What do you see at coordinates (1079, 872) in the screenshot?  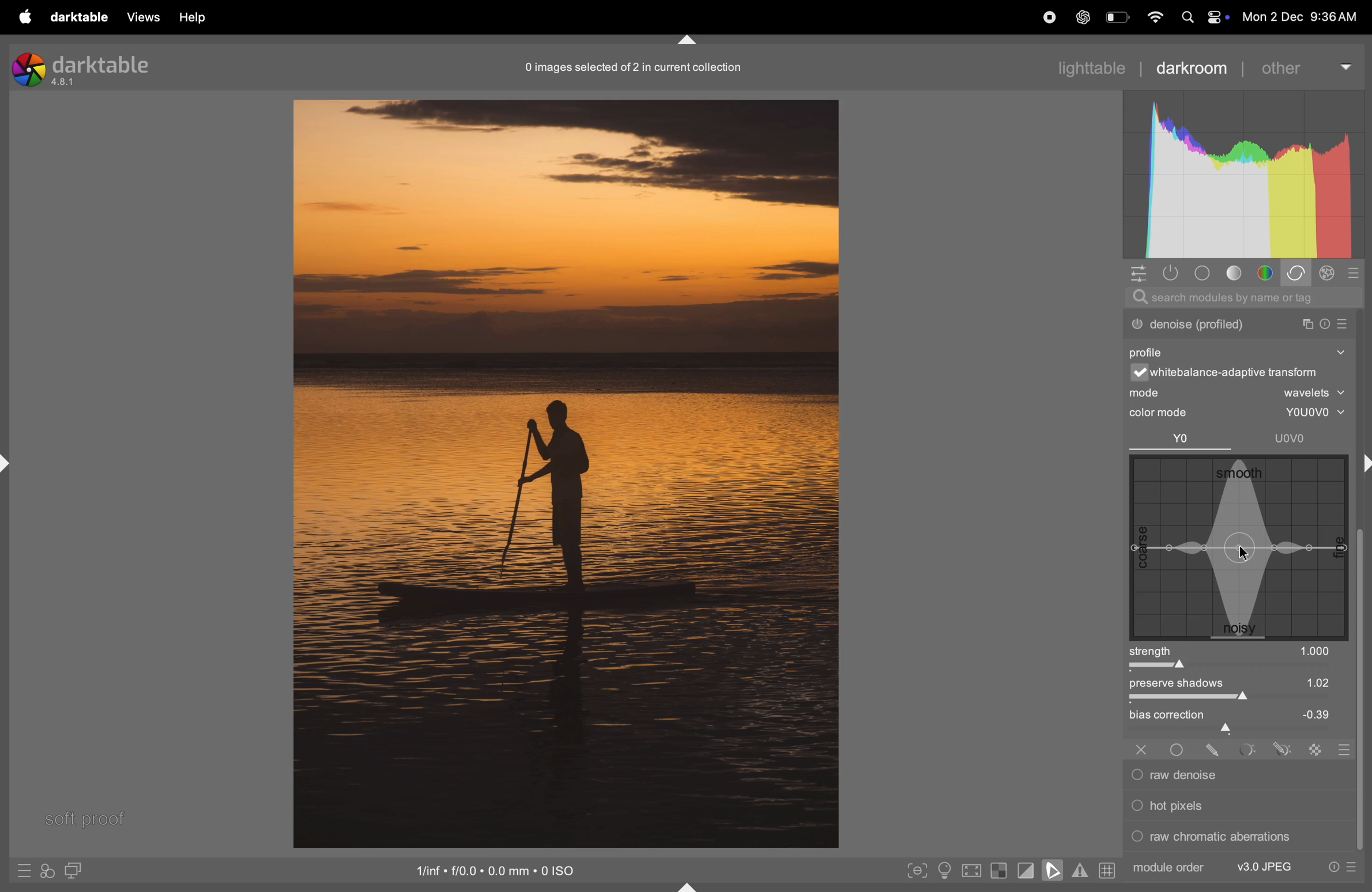 I see `toggle gamut checking` at bounding box center [1079, 872].